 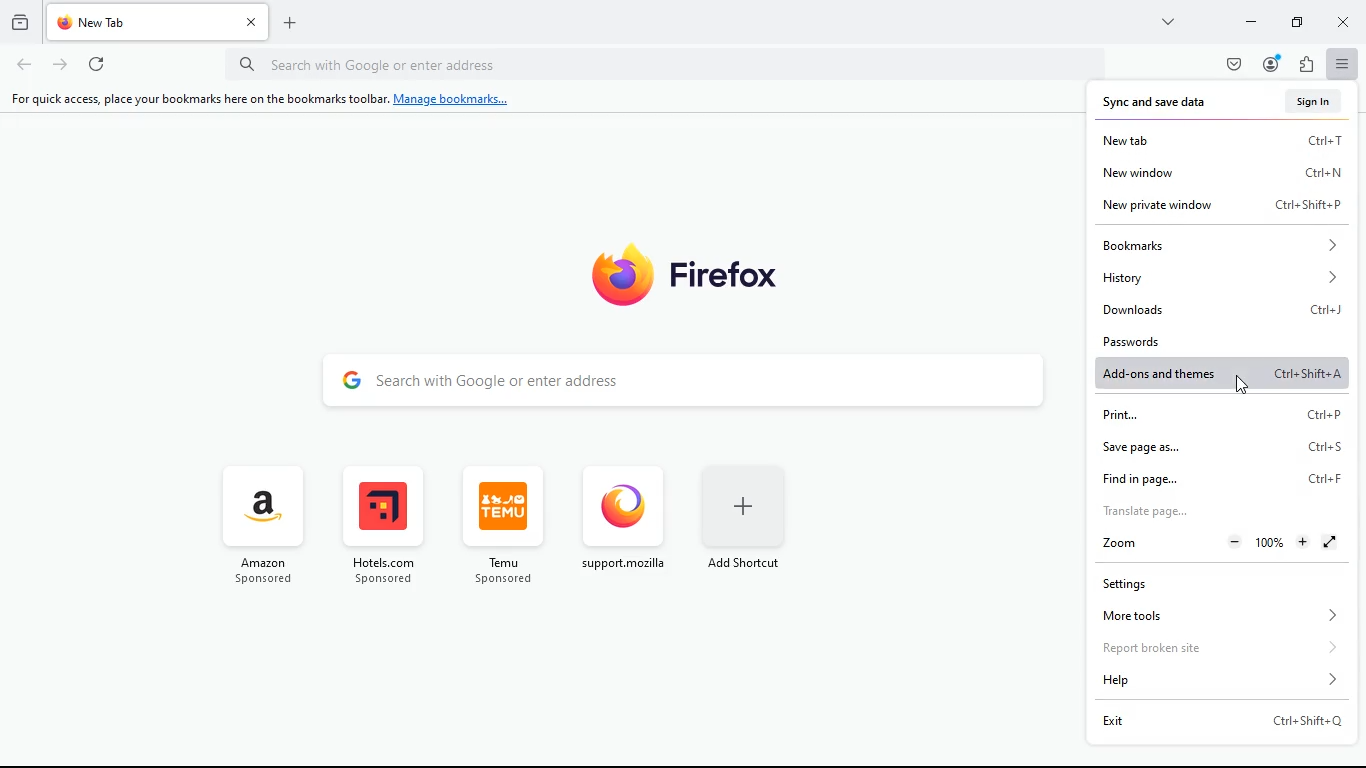 What do you see at coordinates (1348, 21) in the screenshot?
I see `close` at bounding box center [1348, 21].